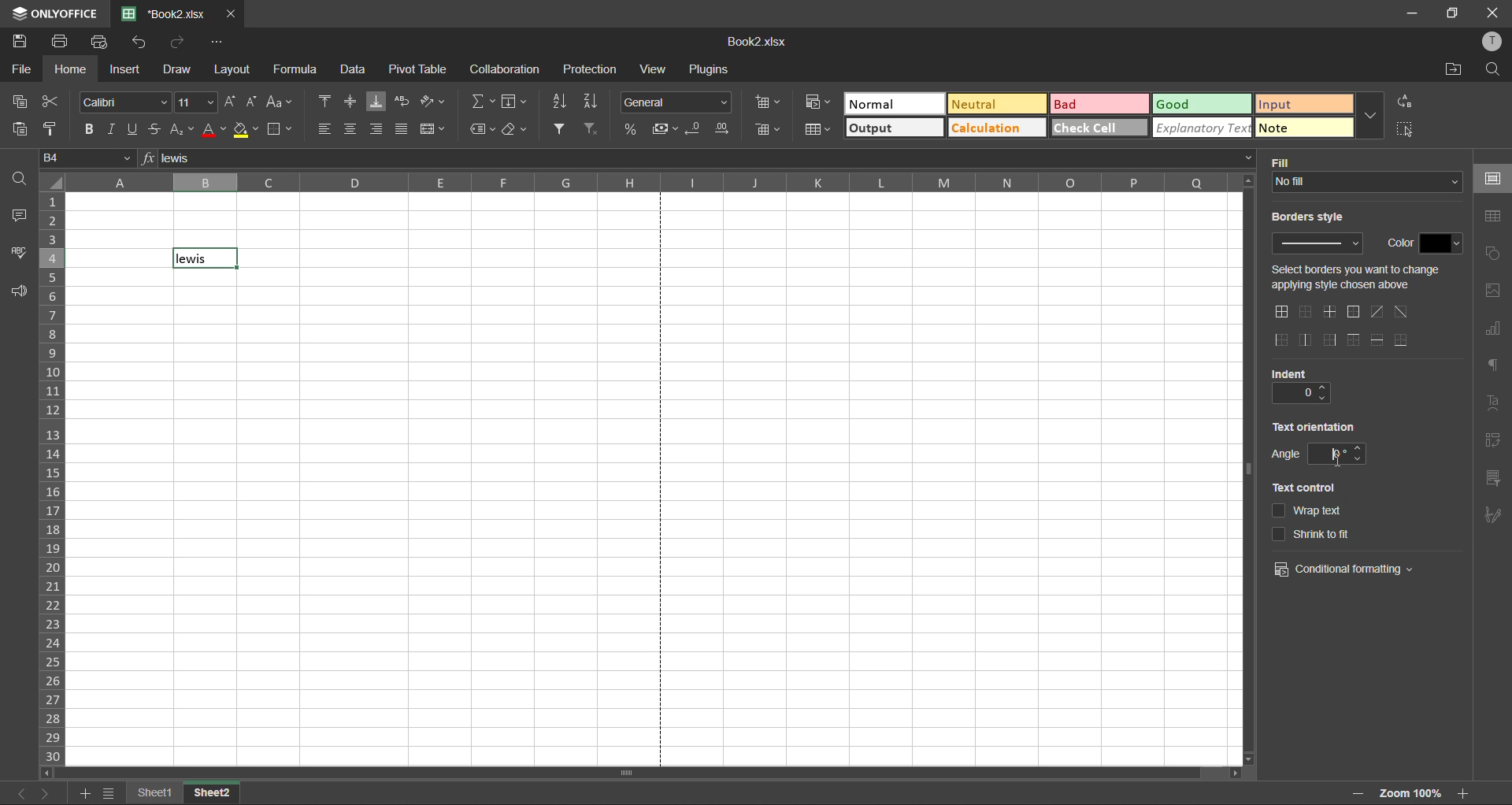  What do you see at coordinates (1365, 182) in the screenshot?
I see `input fill` at bounding box center [1365, 182].